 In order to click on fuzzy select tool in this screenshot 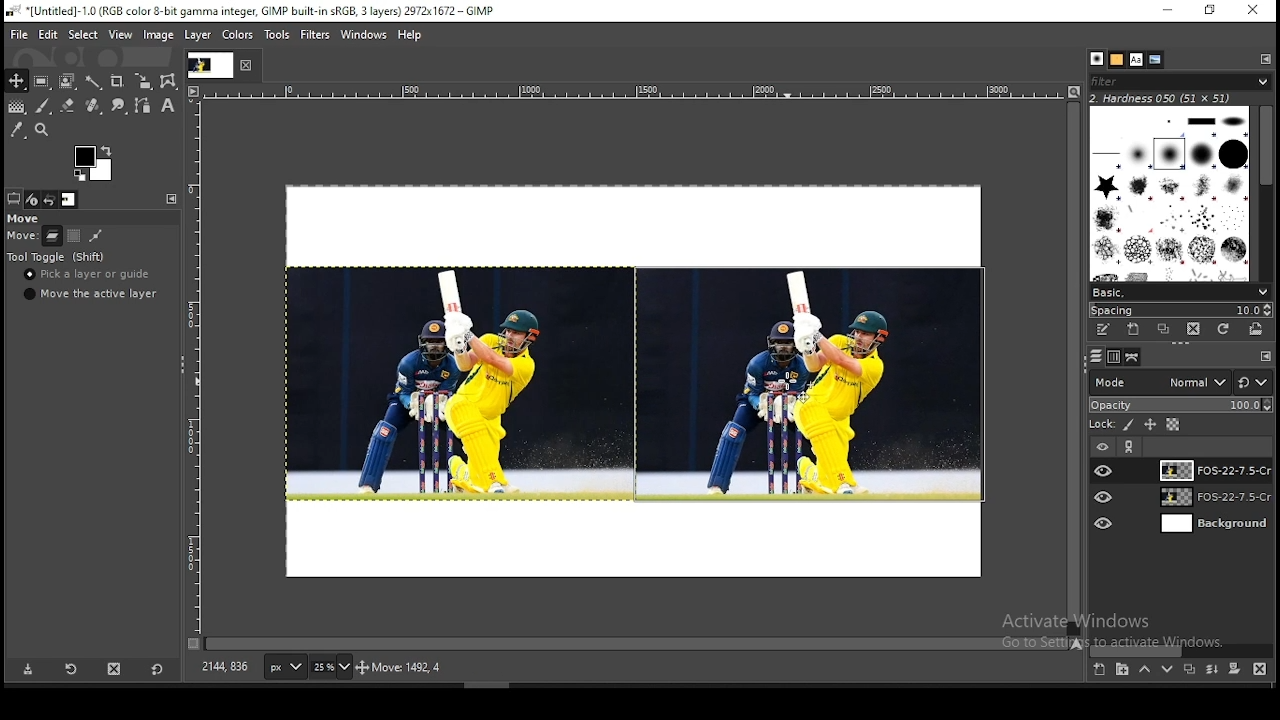, I will do `click(96, 80)`.